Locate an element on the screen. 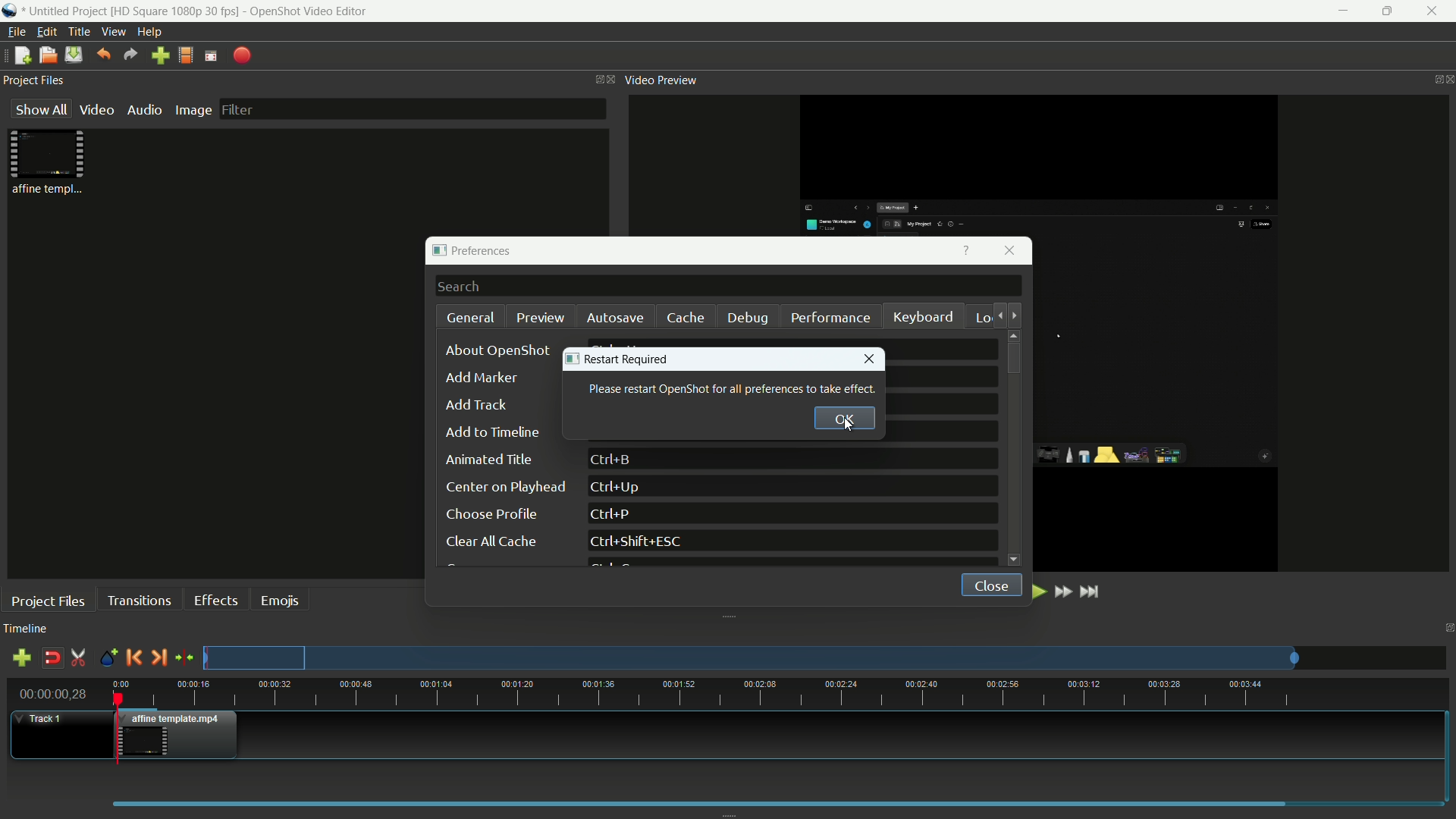  dd track is located at coordinates (475, 405).